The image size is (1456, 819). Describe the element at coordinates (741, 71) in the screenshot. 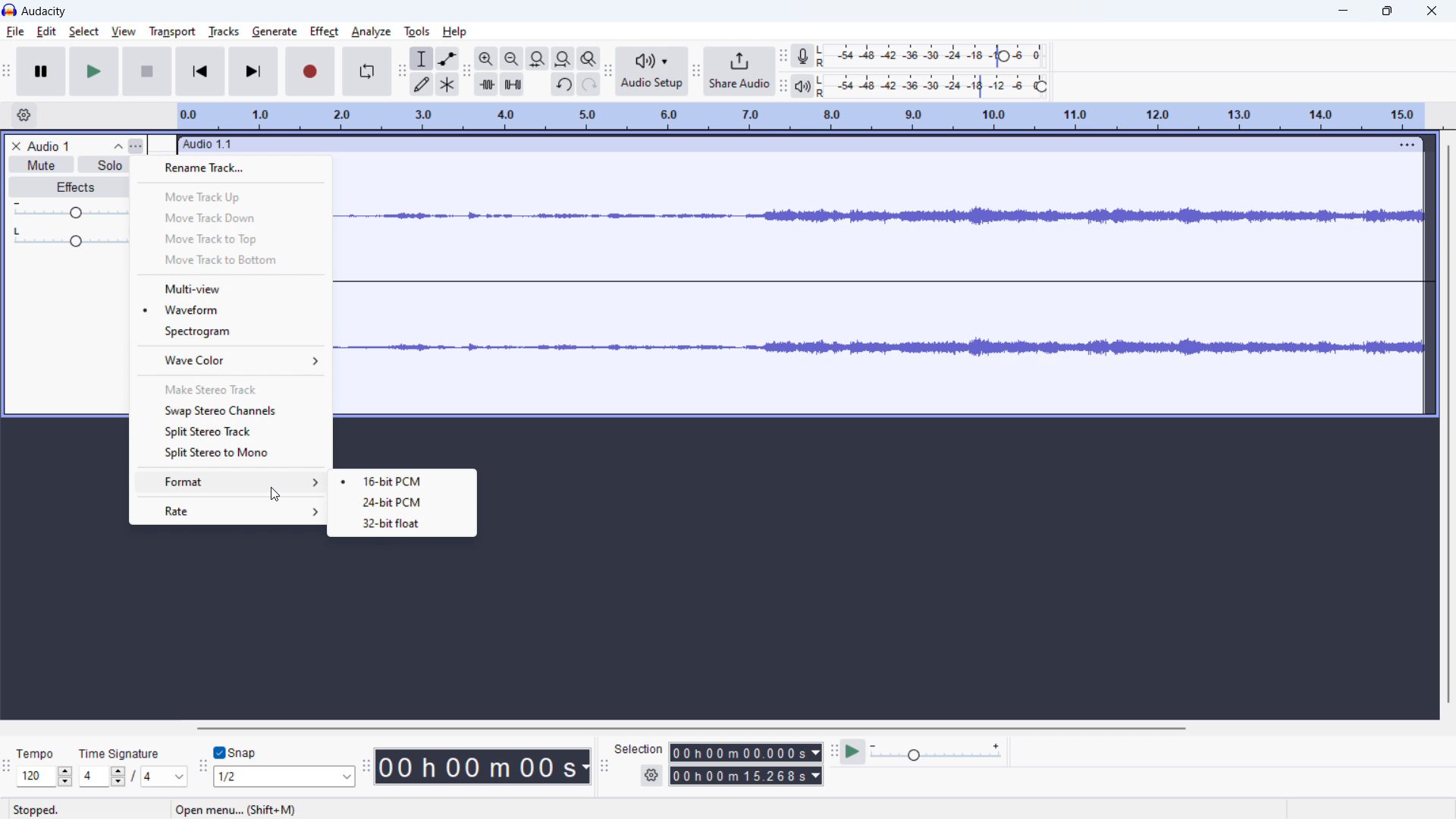

I see `share audio` at that location.